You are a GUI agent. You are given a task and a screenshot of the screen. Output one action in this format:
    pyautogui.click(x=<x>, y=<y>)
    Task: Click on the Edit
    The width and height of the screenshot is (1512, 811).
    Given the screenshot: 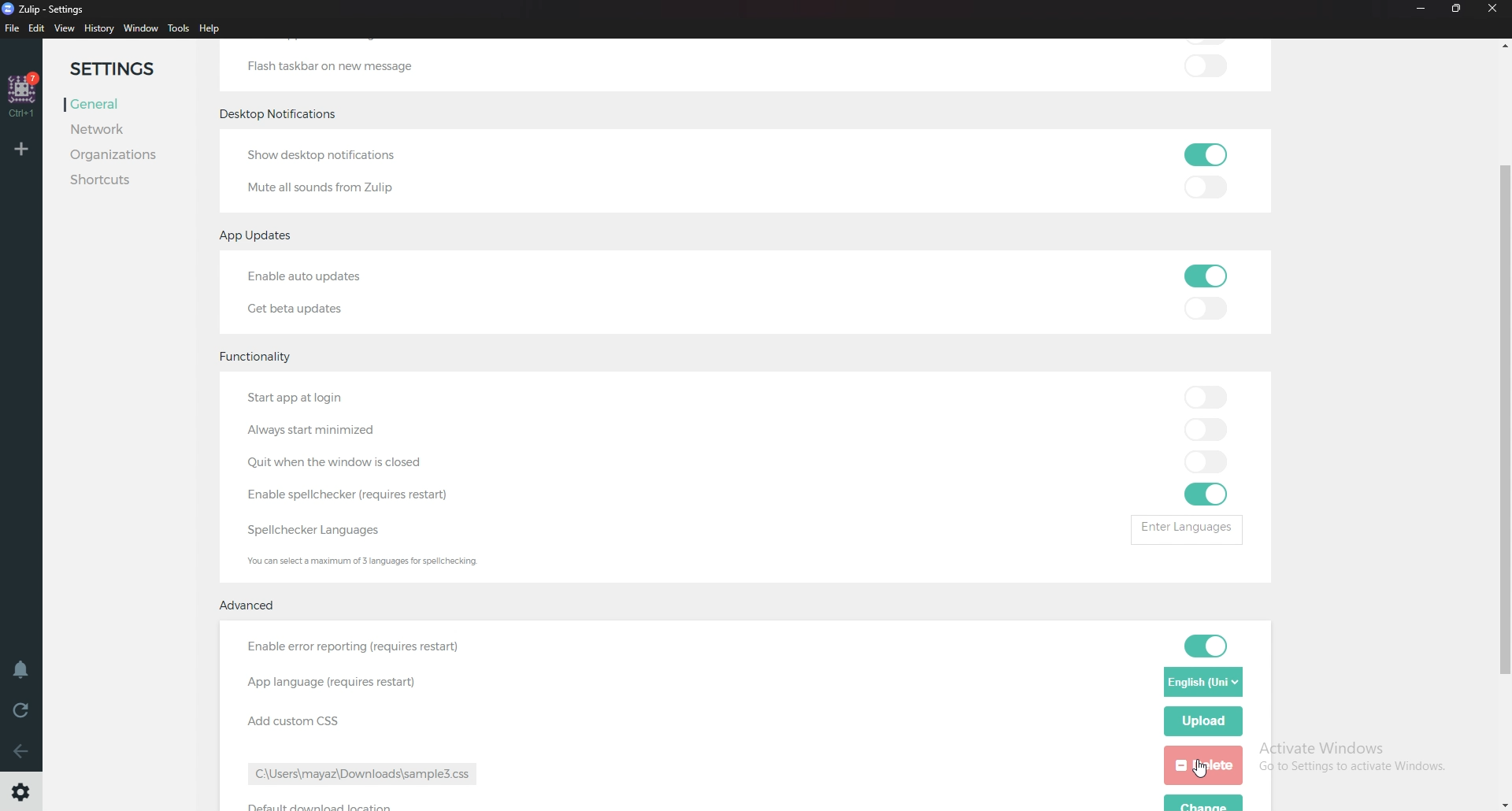 What is the action you would take?
    pyautogui.click(x=38, y=29)
    